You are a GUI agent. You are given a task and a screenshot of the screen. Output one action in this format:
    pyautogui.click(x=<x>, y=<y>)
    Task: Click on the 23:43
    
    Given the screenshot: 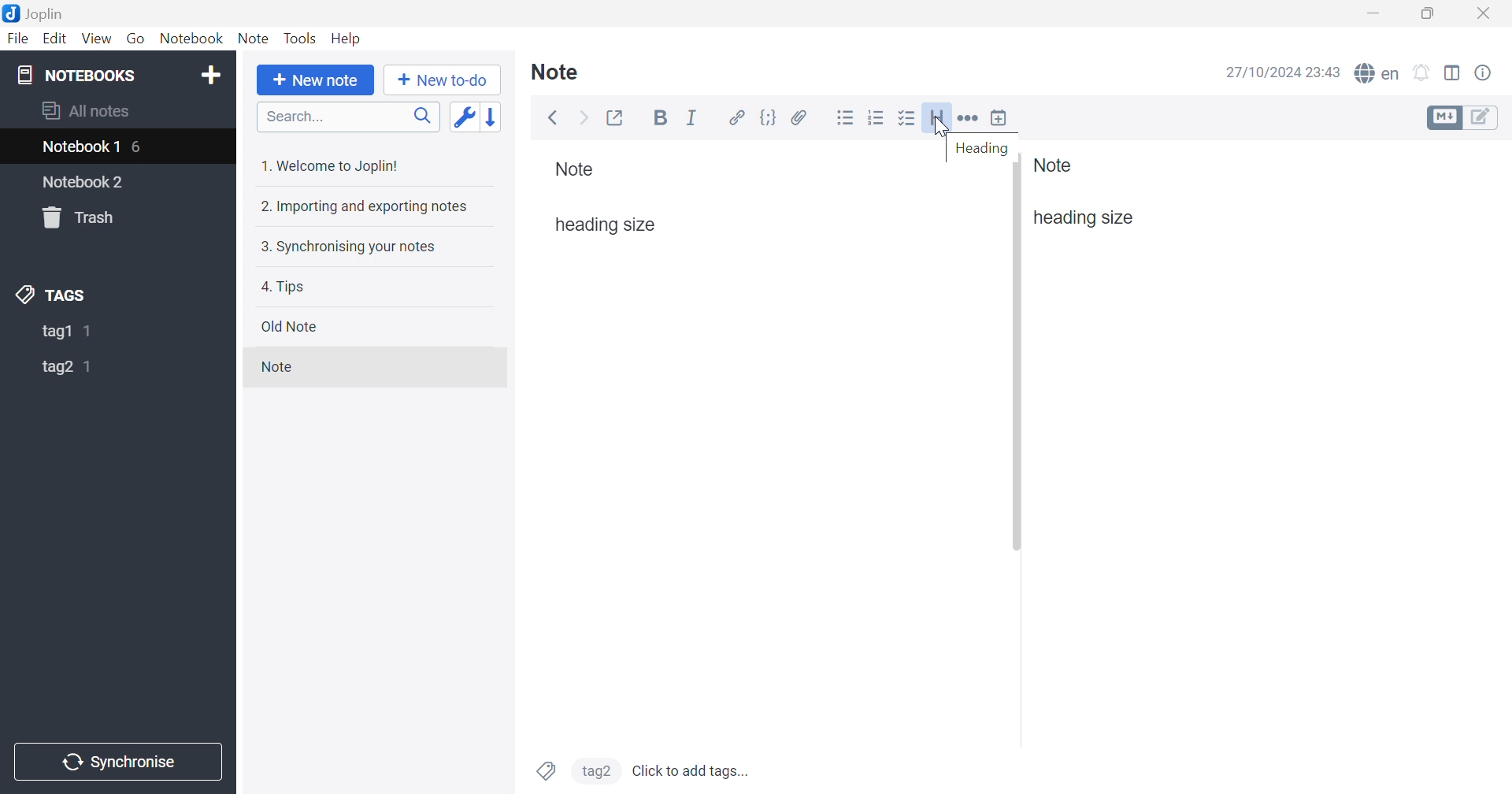 What is the action you would take?
    pyautogui.click(x=1324, y=72)
    